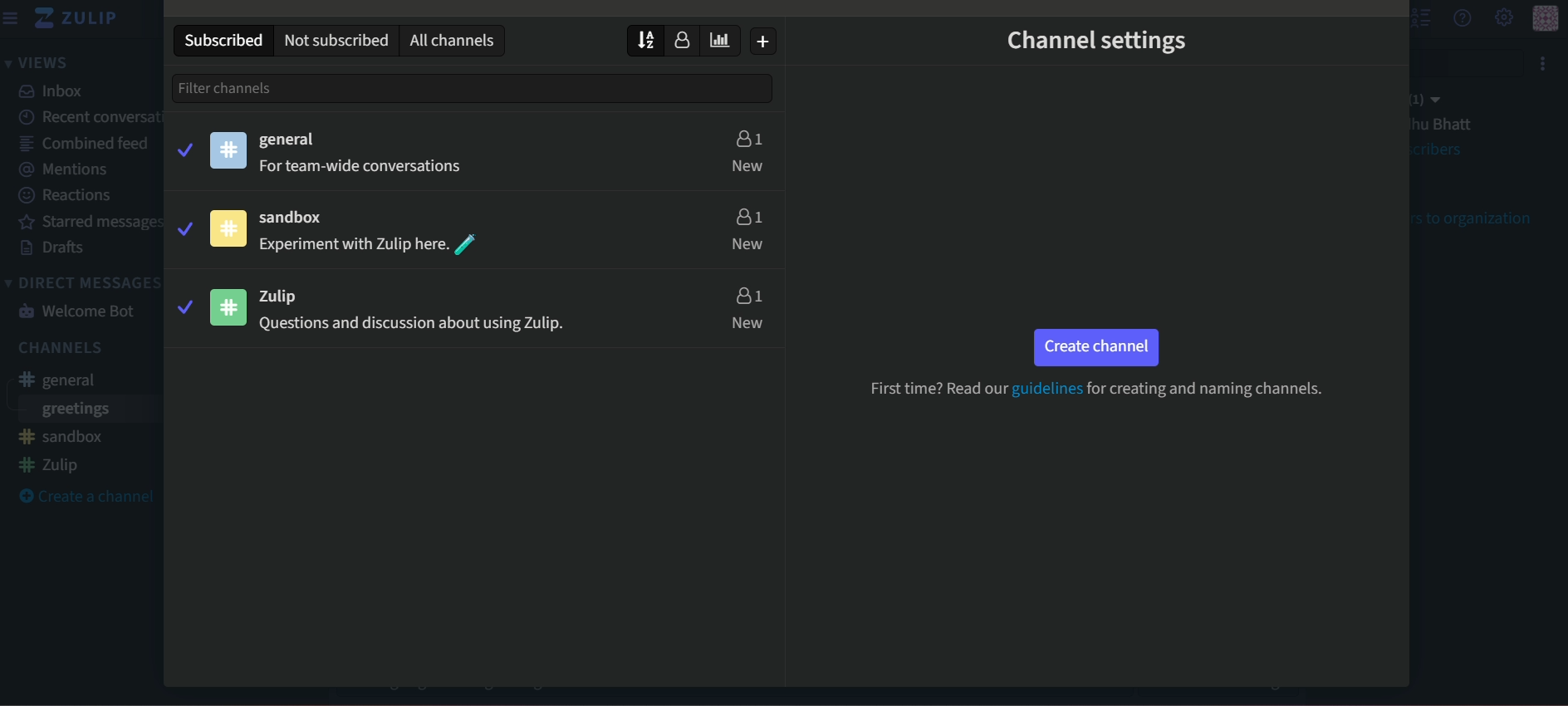  What do you see at coordinates (747, 229) in the screenshot?
I see `users` at bounding box center [747, 229].